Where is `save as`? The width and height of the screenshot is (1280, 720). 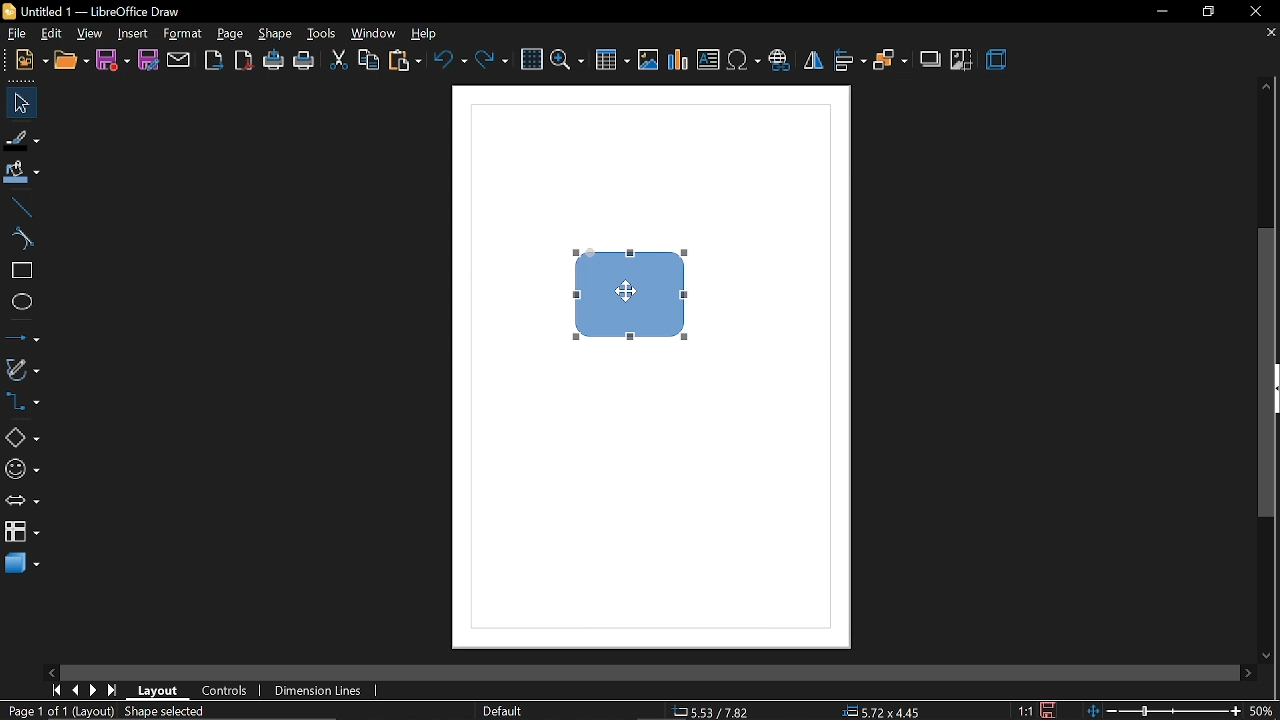 save as is located at coordinates (148, 61).